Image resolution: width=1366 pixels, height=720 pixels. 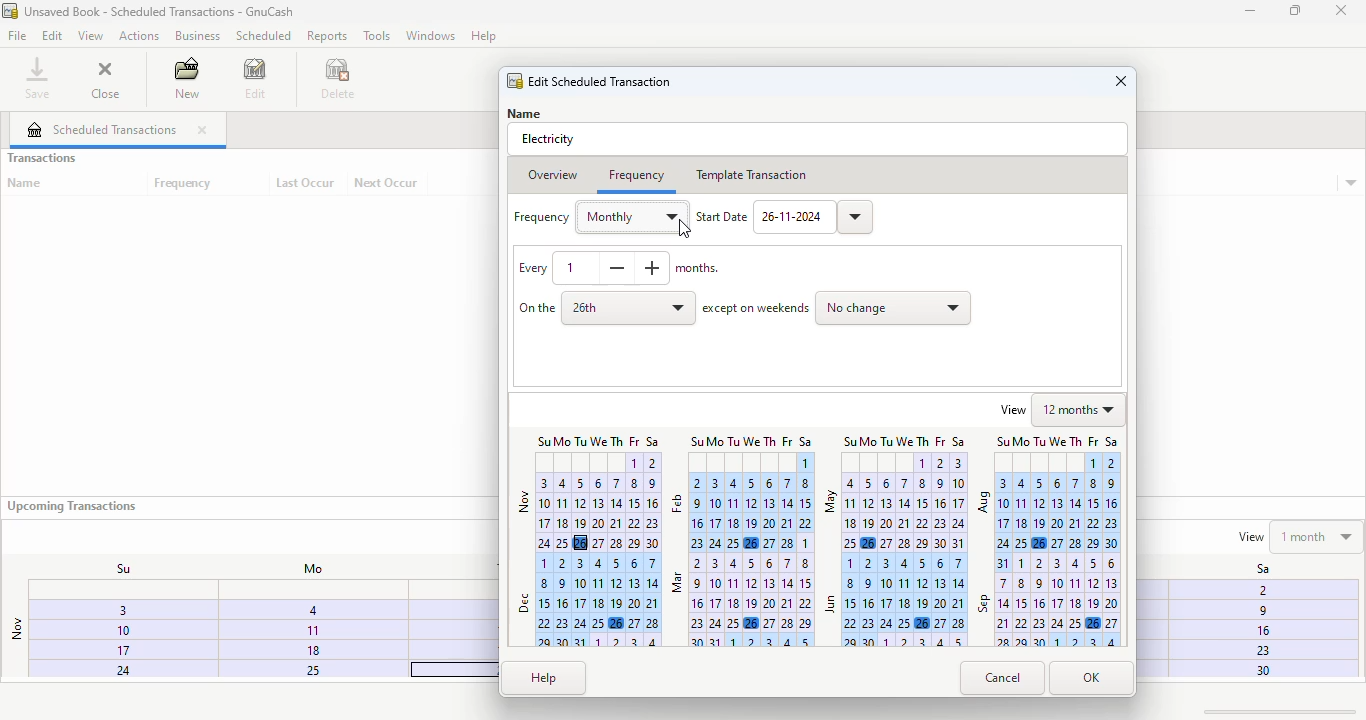 I want to click on February calendar, so click(x=741, y=492).